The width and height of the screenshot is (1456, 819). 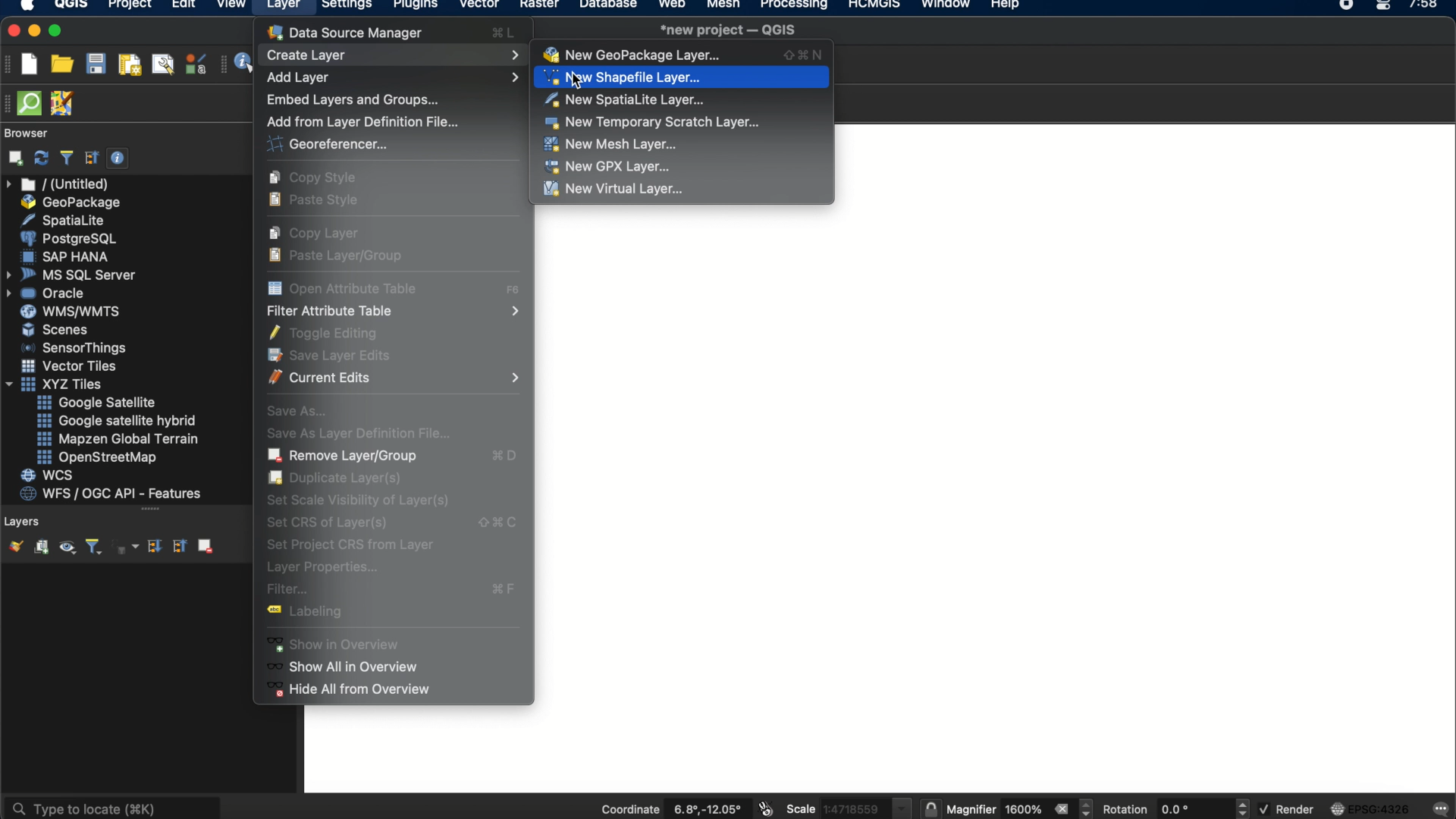 I want to click on set crs of layers, so click(x=397, y=523).